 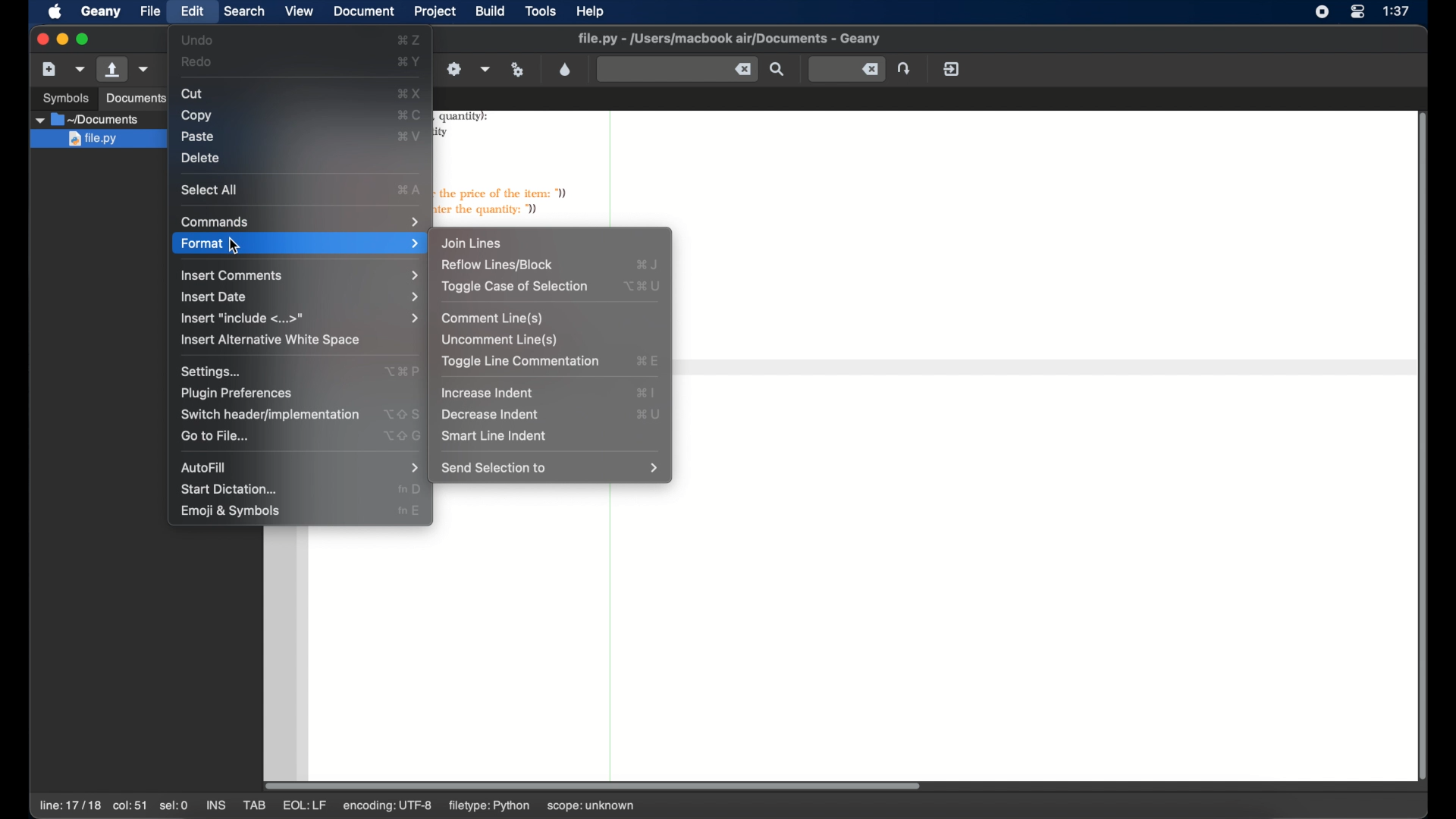 What do you see at coordinates (649, 360) in the screenshot?
I see `toggle line commentation` at bounding box center [649, 360].